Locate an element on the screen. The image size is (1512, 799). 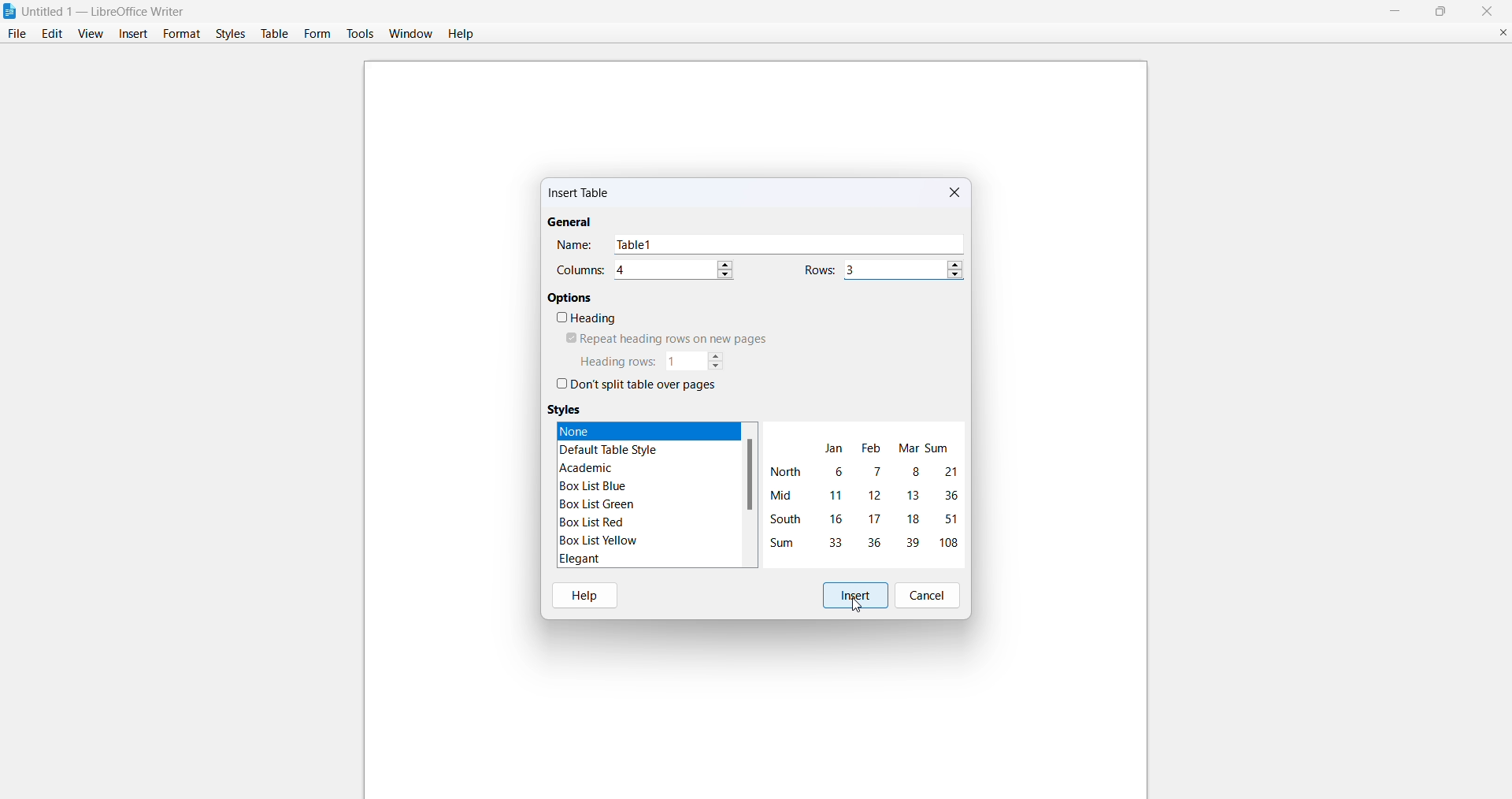
dont split table over pages is located at coordinates (636, 386).